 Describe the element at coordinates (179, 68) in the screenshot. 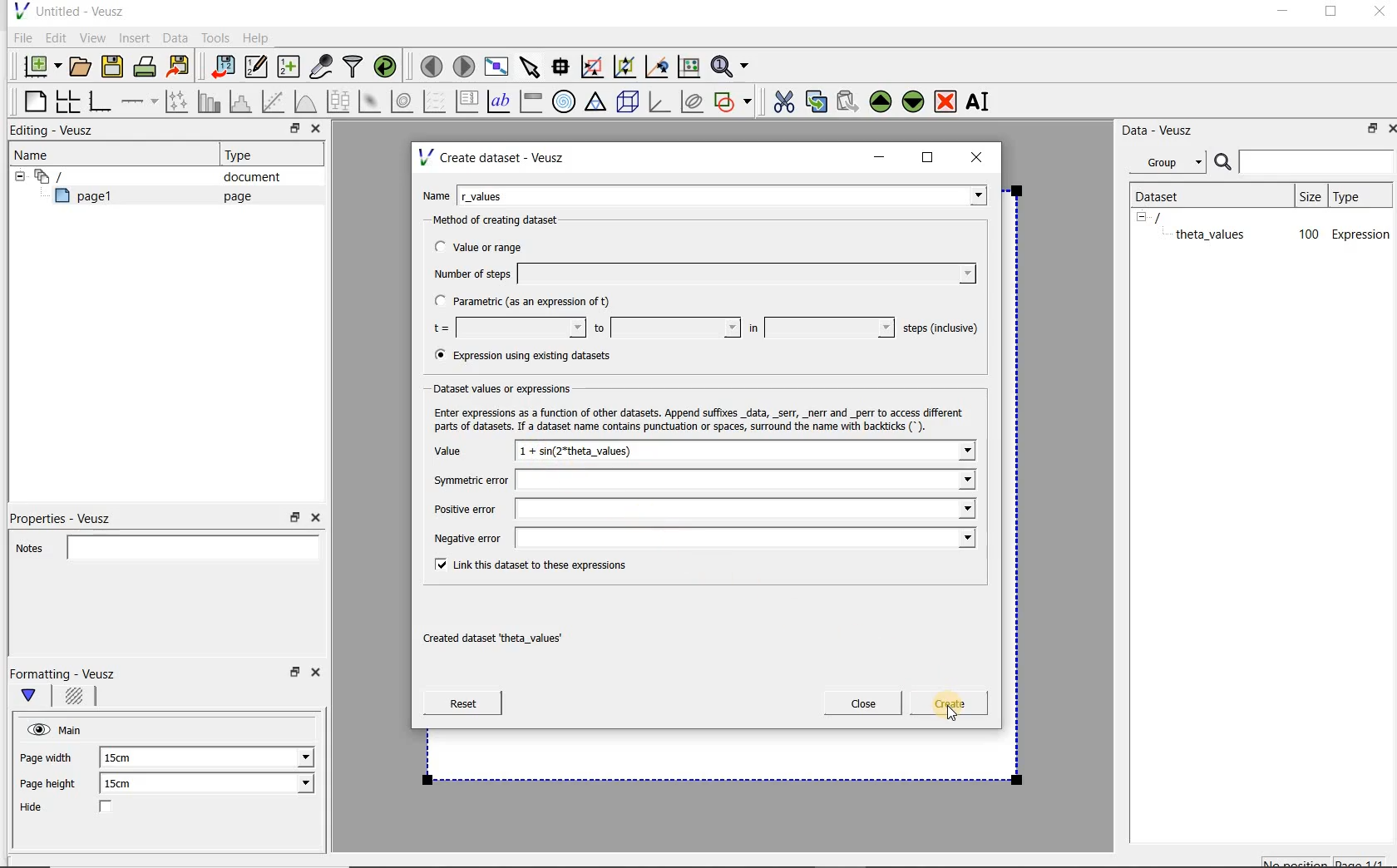

I see `Export to graphics format` at that location.